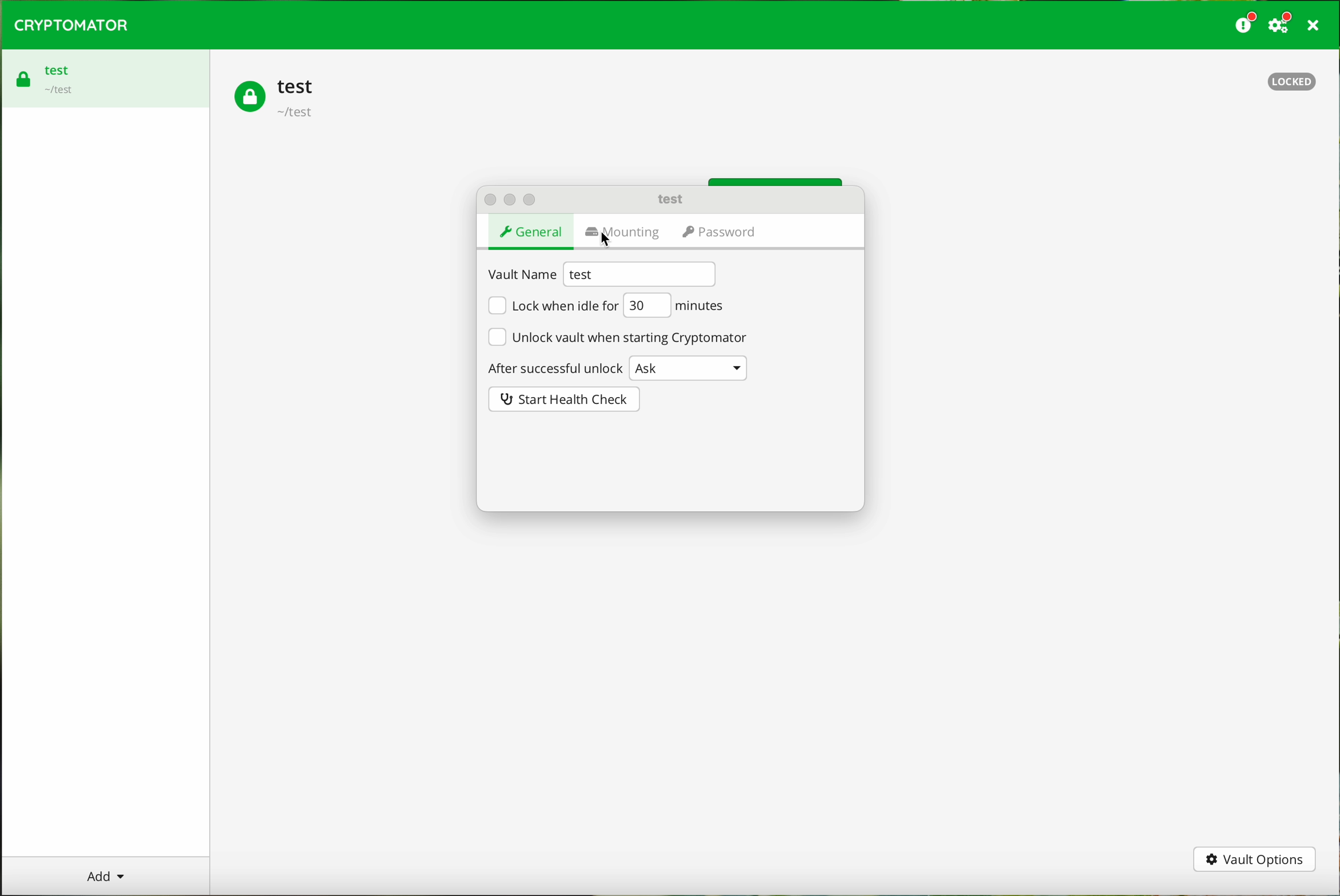  What do you see at coordinates (565, 400) in the screenshot?
I see `start health check` at bounding box center [565, 400].